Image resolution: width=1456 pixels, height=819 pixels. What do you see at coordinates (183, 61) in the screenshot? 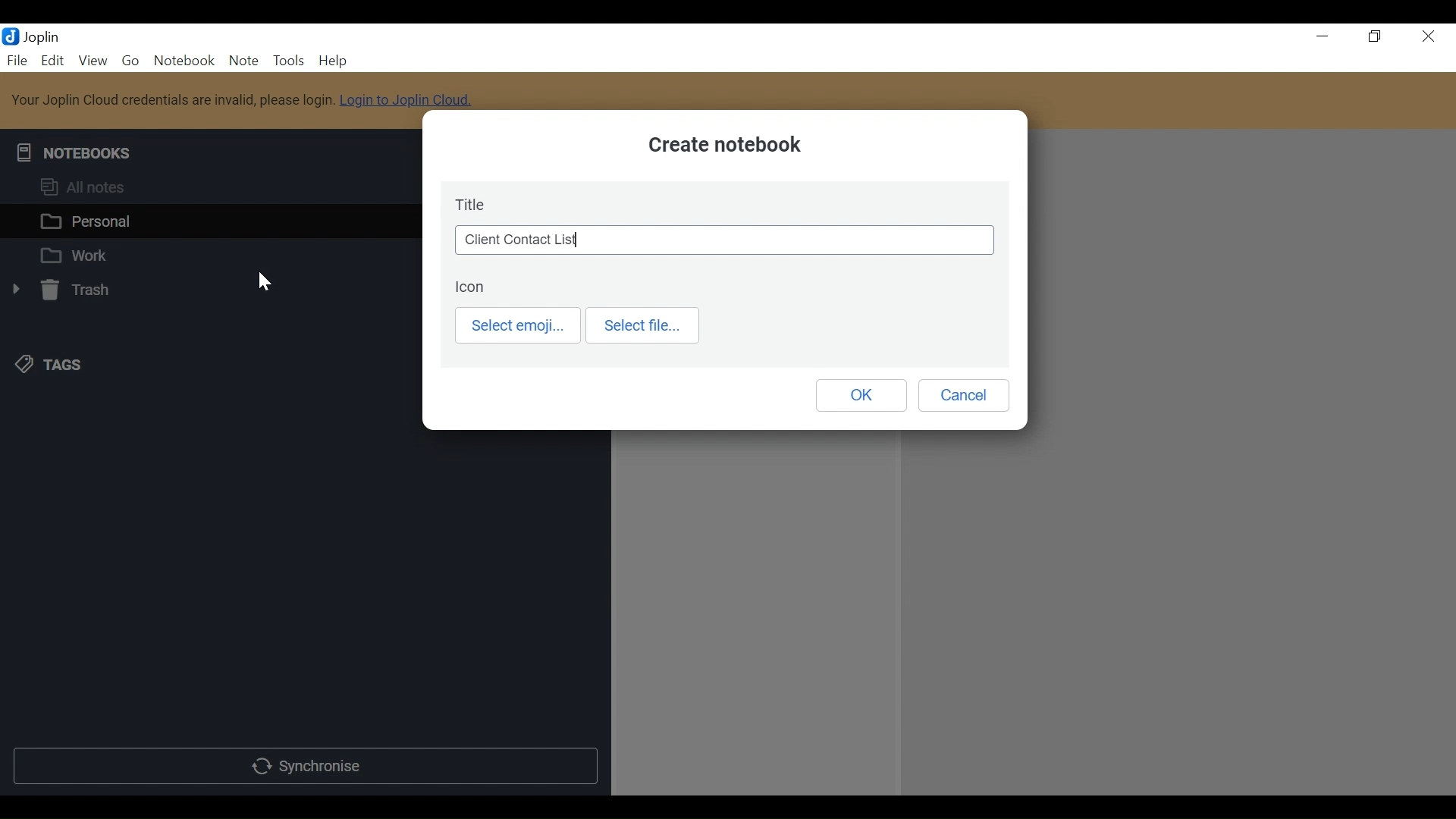
I see `Notebook` at bounding box center [183, 61].